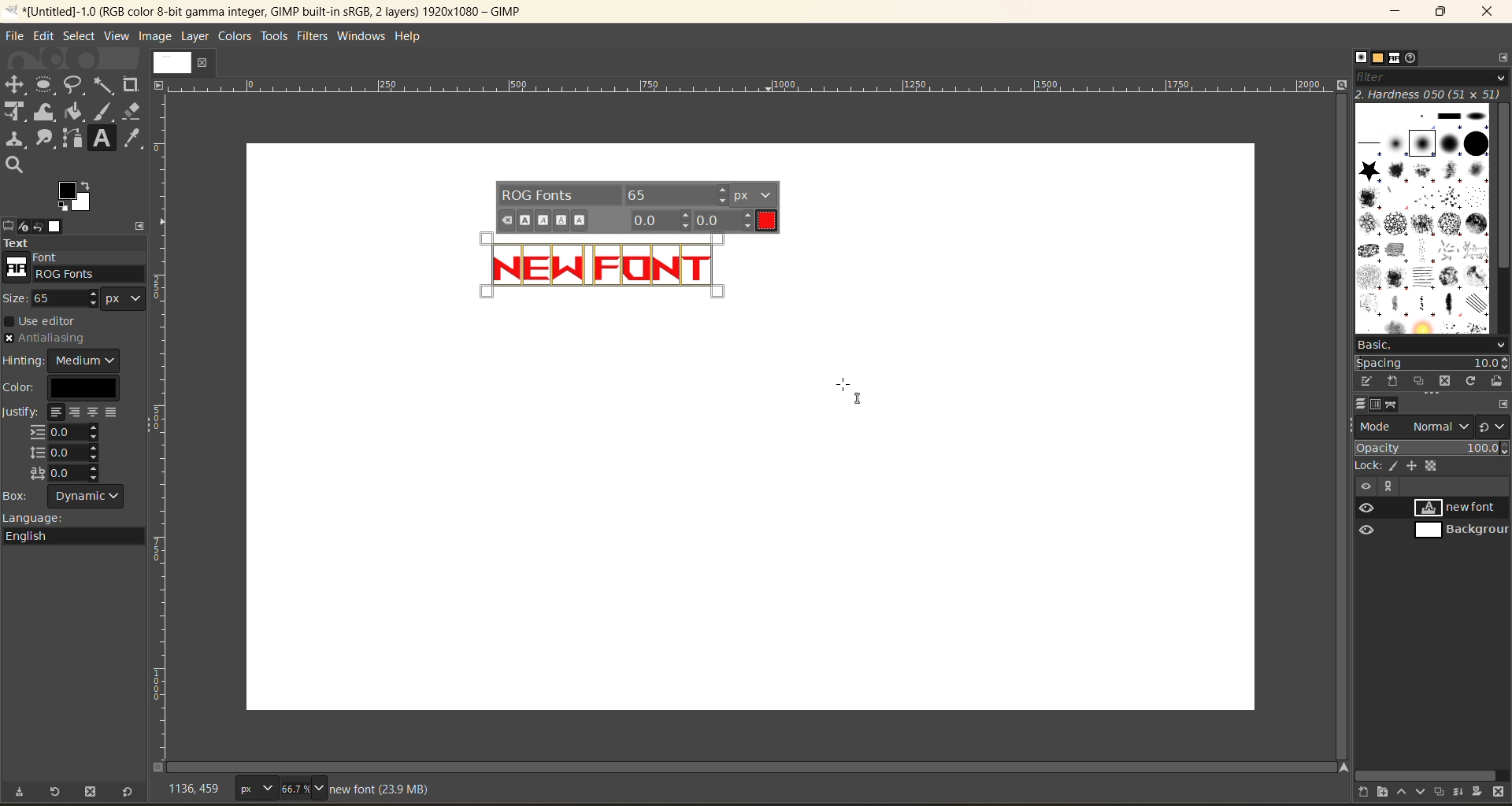  I want to click on image, so click(157, 38).